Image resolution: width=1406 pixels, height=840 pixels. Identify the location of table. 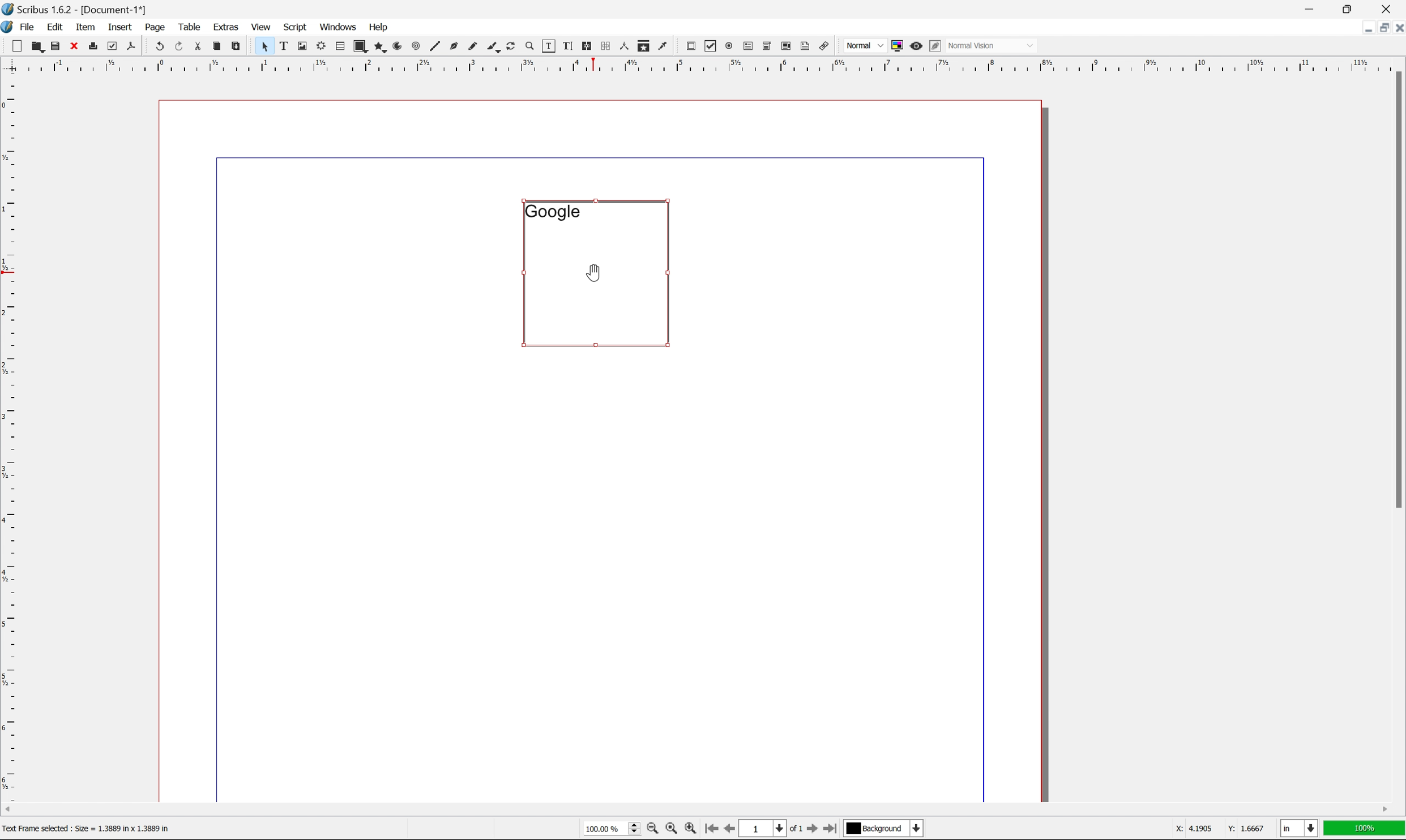
(340, 47).